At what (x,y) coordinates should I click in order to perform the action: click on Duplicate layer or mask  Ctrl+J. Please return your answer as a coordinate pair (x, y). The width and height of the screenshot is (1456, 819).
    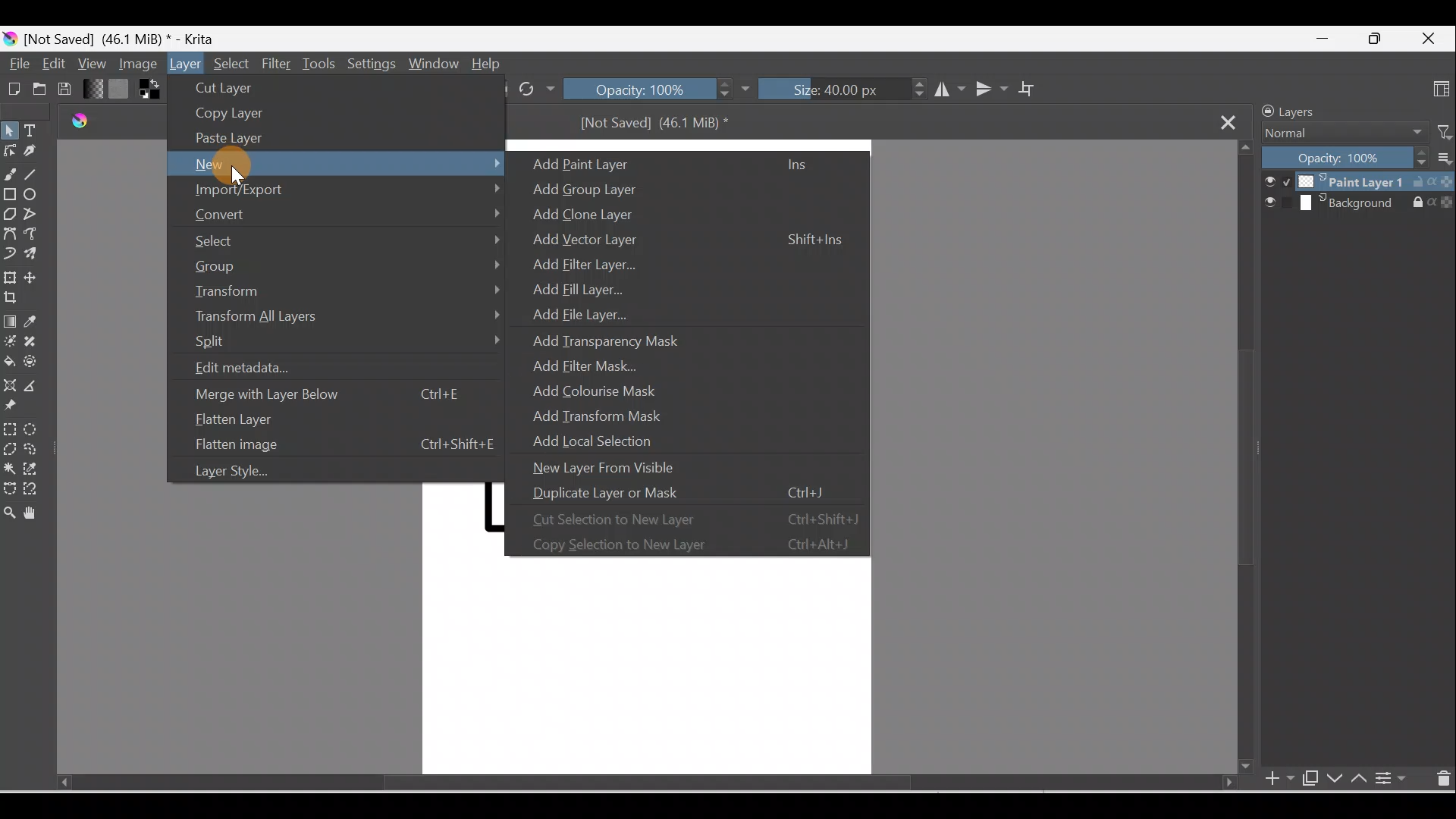
    Looking at the image, I should click on (685, 491).